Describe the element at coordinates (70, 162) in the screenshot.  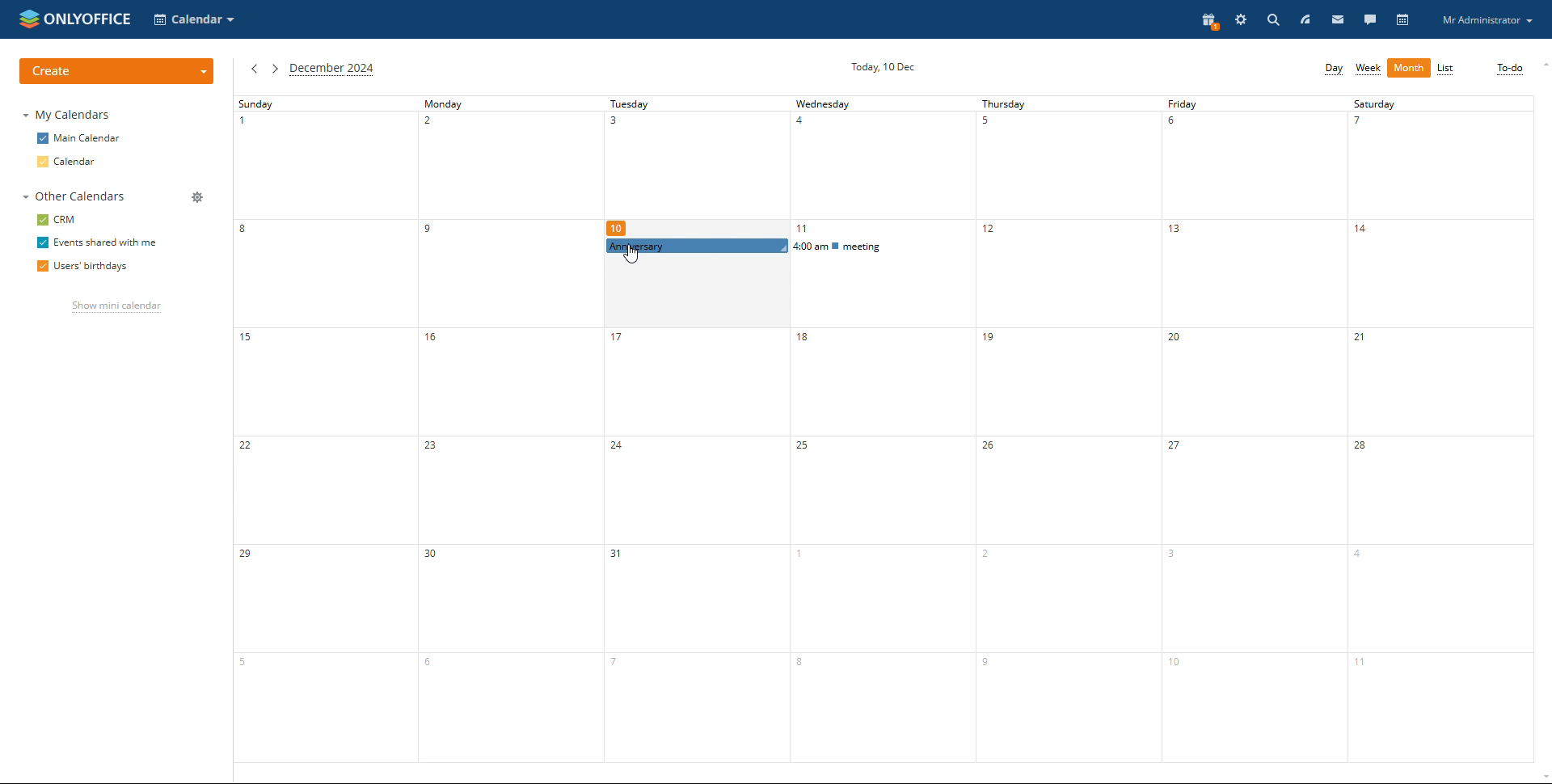
I see `calendar` at that location.